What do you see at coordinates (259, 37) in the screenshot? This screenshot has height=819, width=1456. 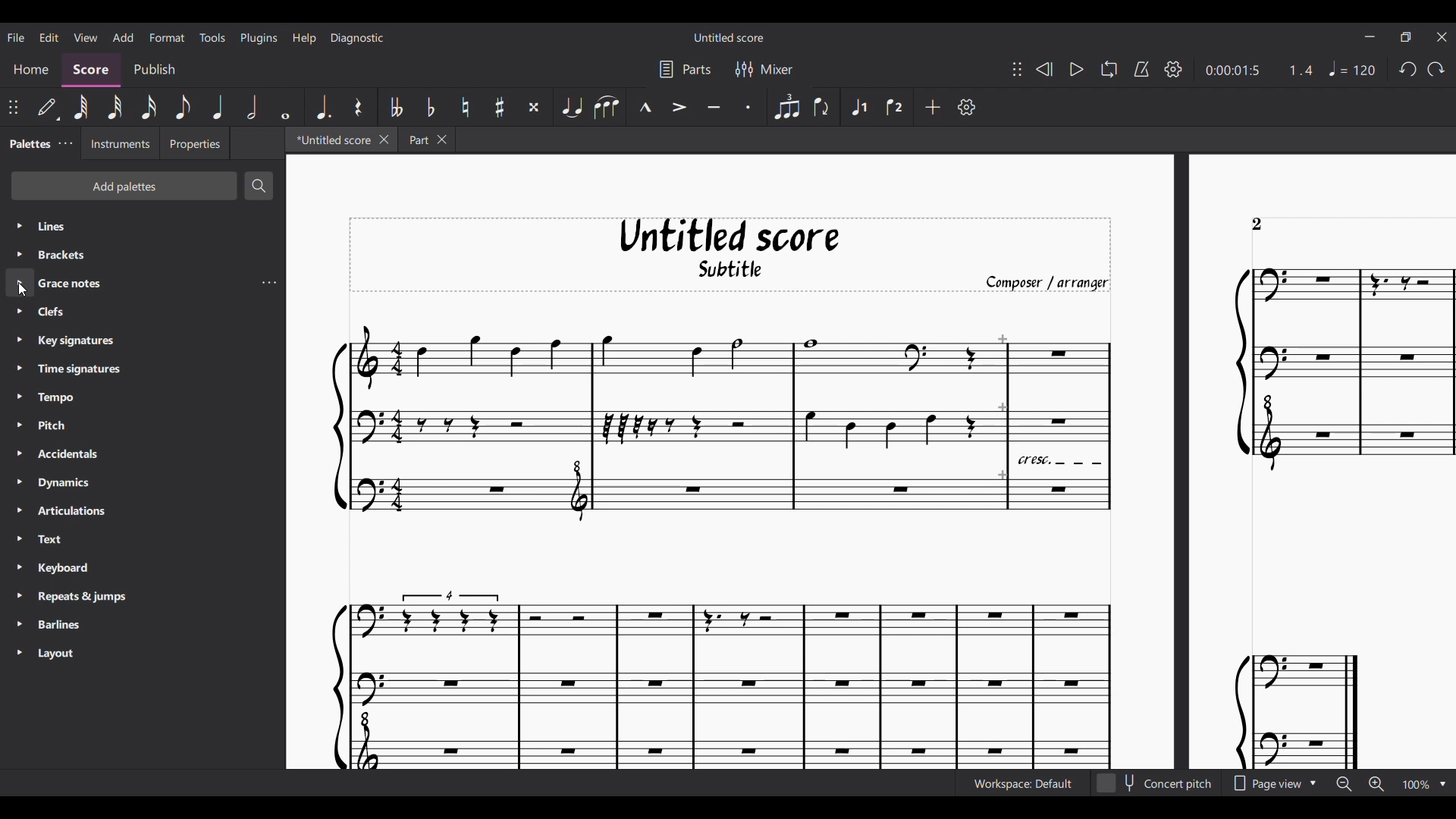 I see `Plugins menu` at bounding box center [259, 37].